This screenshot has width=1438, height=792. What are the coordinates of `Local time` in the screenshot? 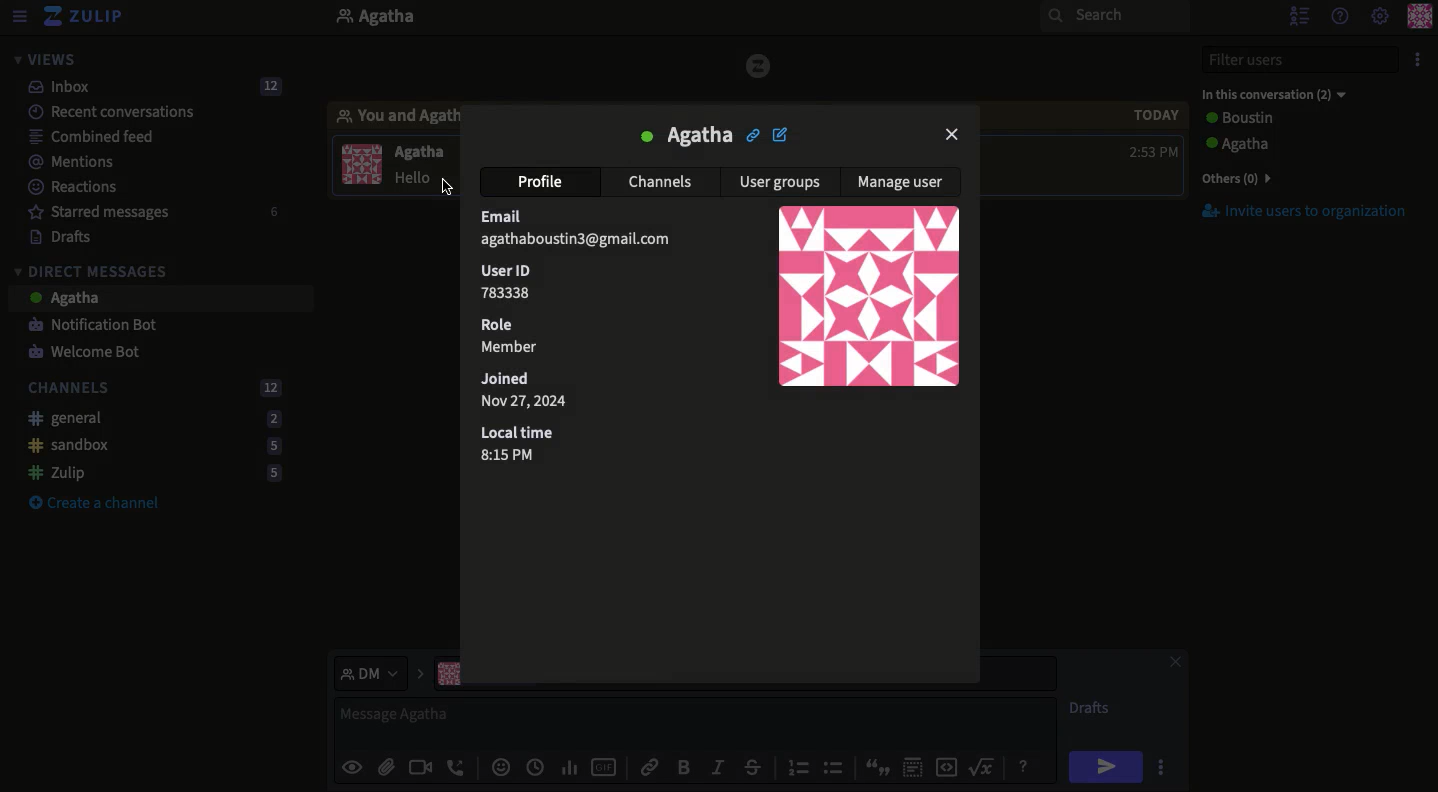 It's located at (522, 446).